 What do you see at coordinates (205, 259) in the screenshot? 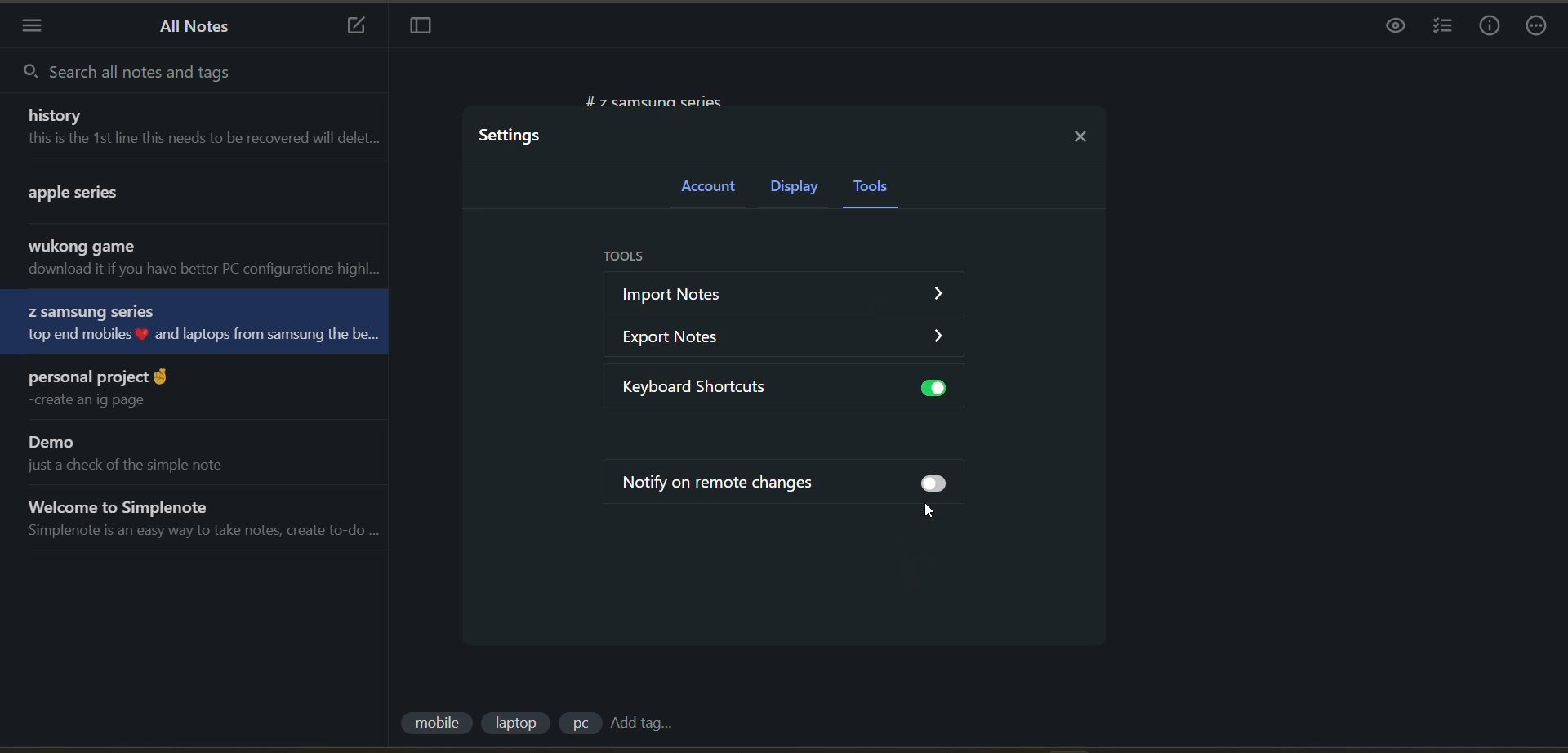
I see `note title and preview` at bounding box center [205, 259].